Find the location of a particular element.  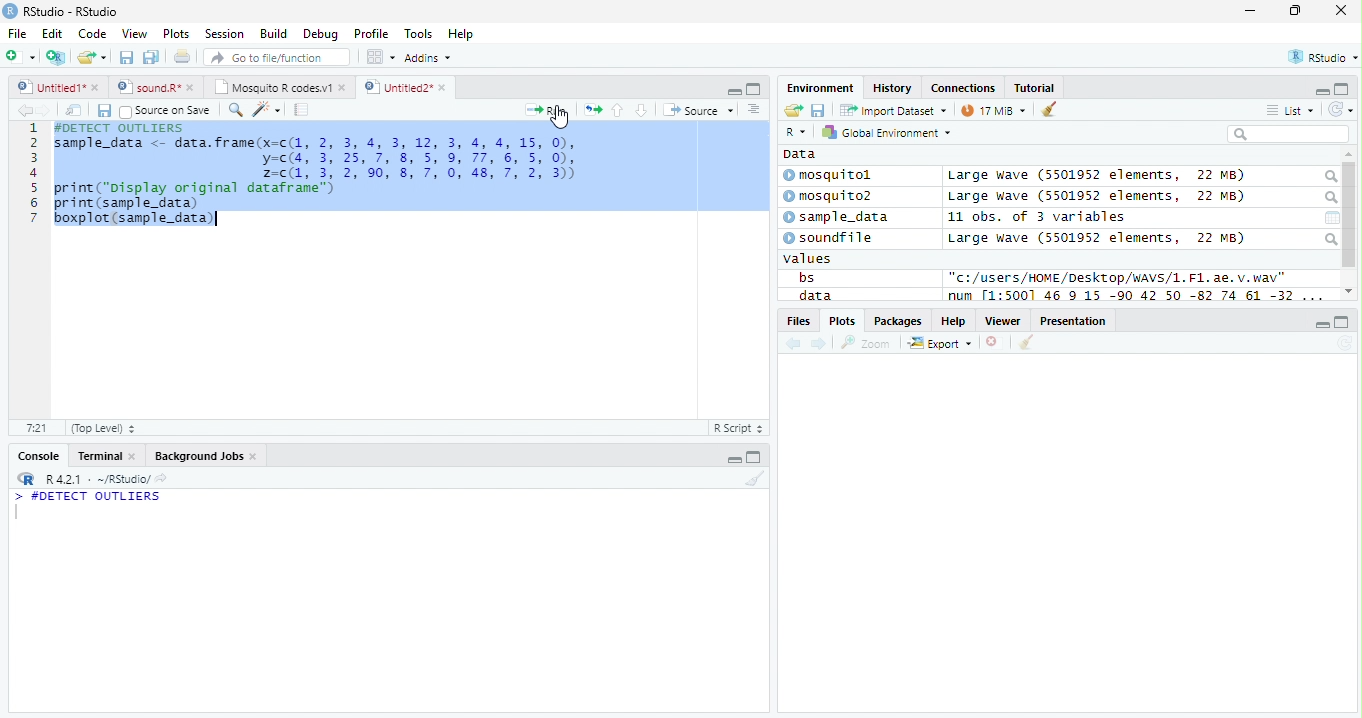

Save is located at coordinates (103, 111).